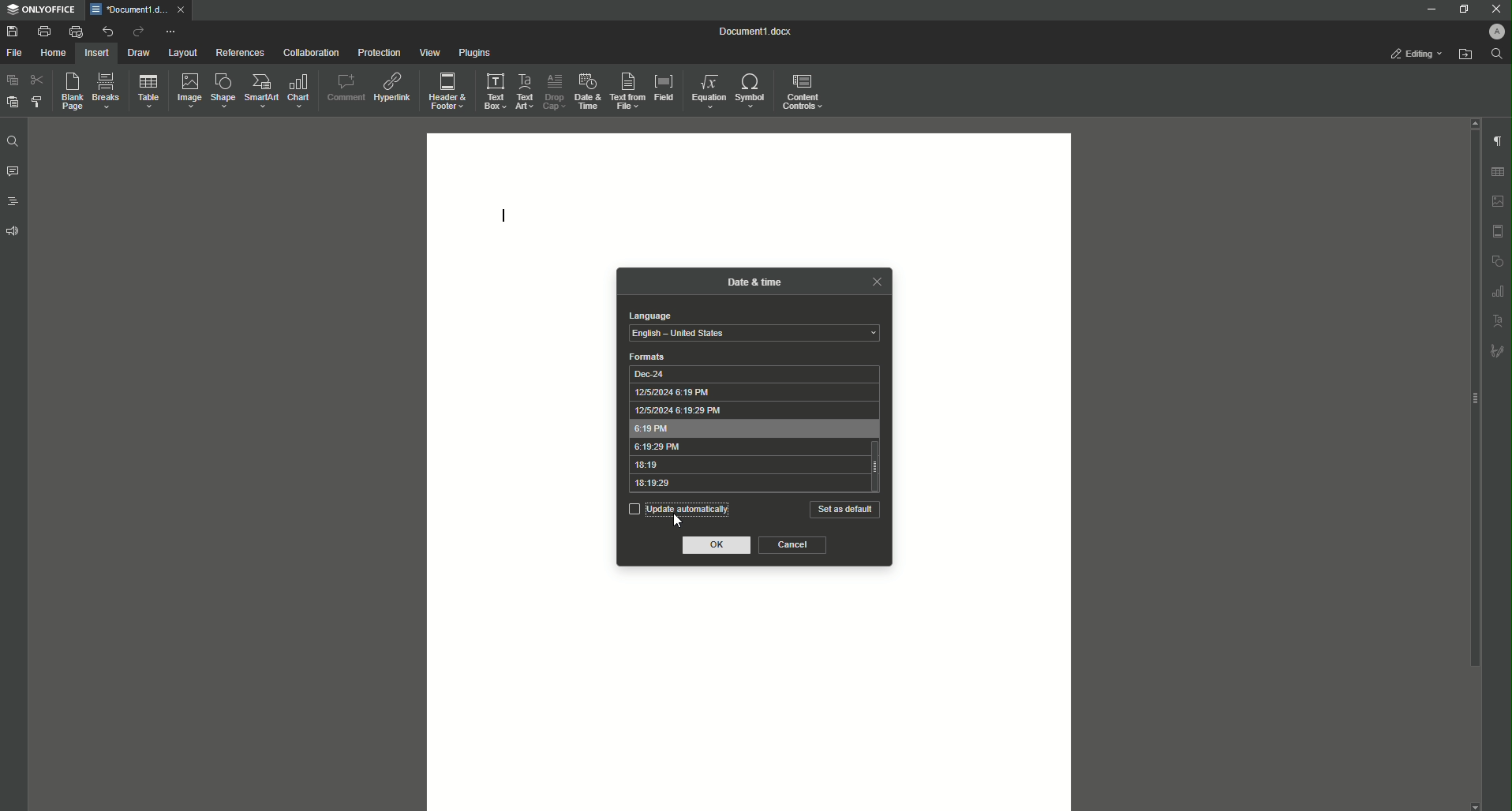  Describe the element at coordinates (505, 212) in the screenshot. I see `Text Line` at that location.